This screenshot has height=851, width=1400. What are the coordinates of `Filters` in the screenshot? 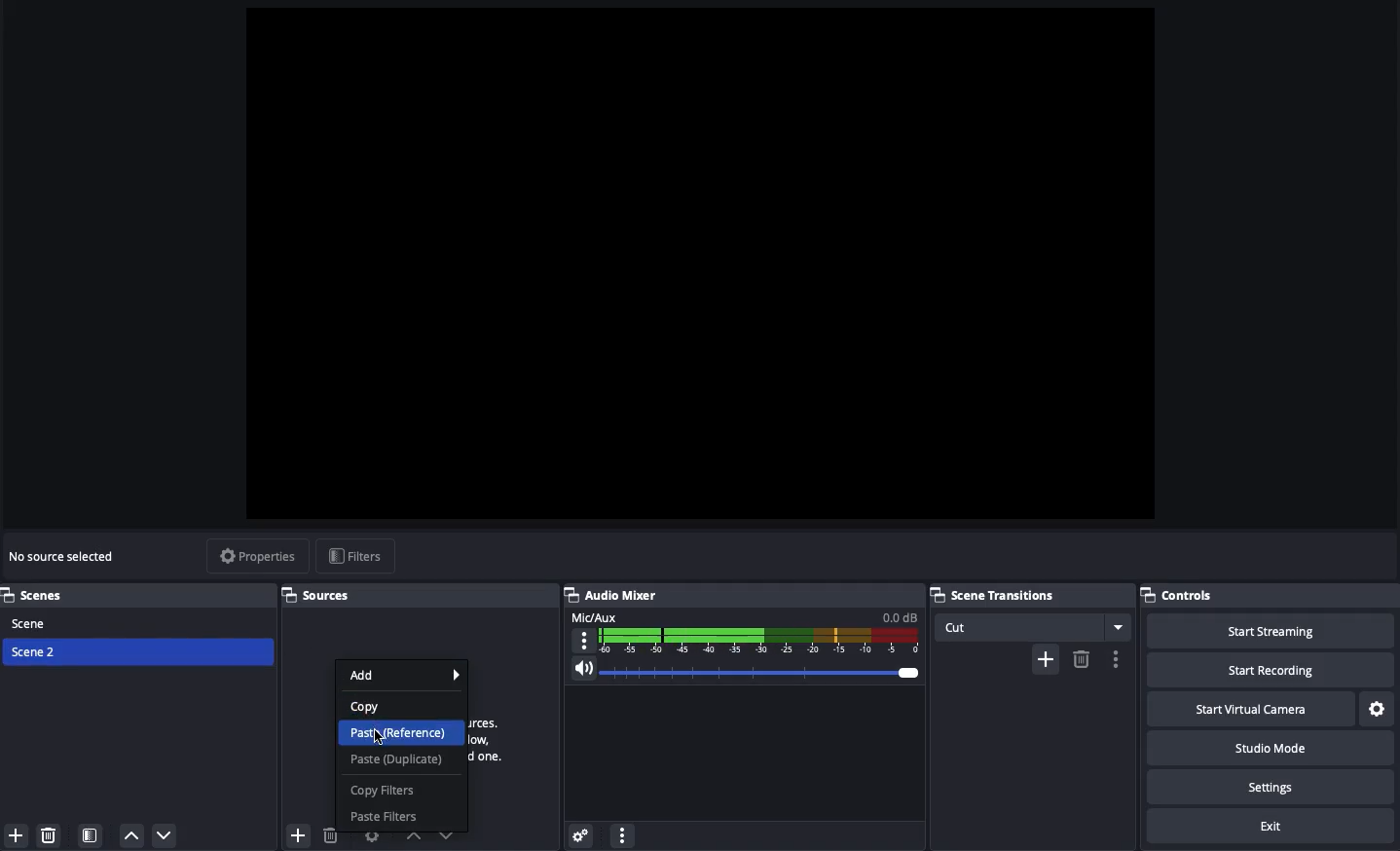 It's located at (354, 554).